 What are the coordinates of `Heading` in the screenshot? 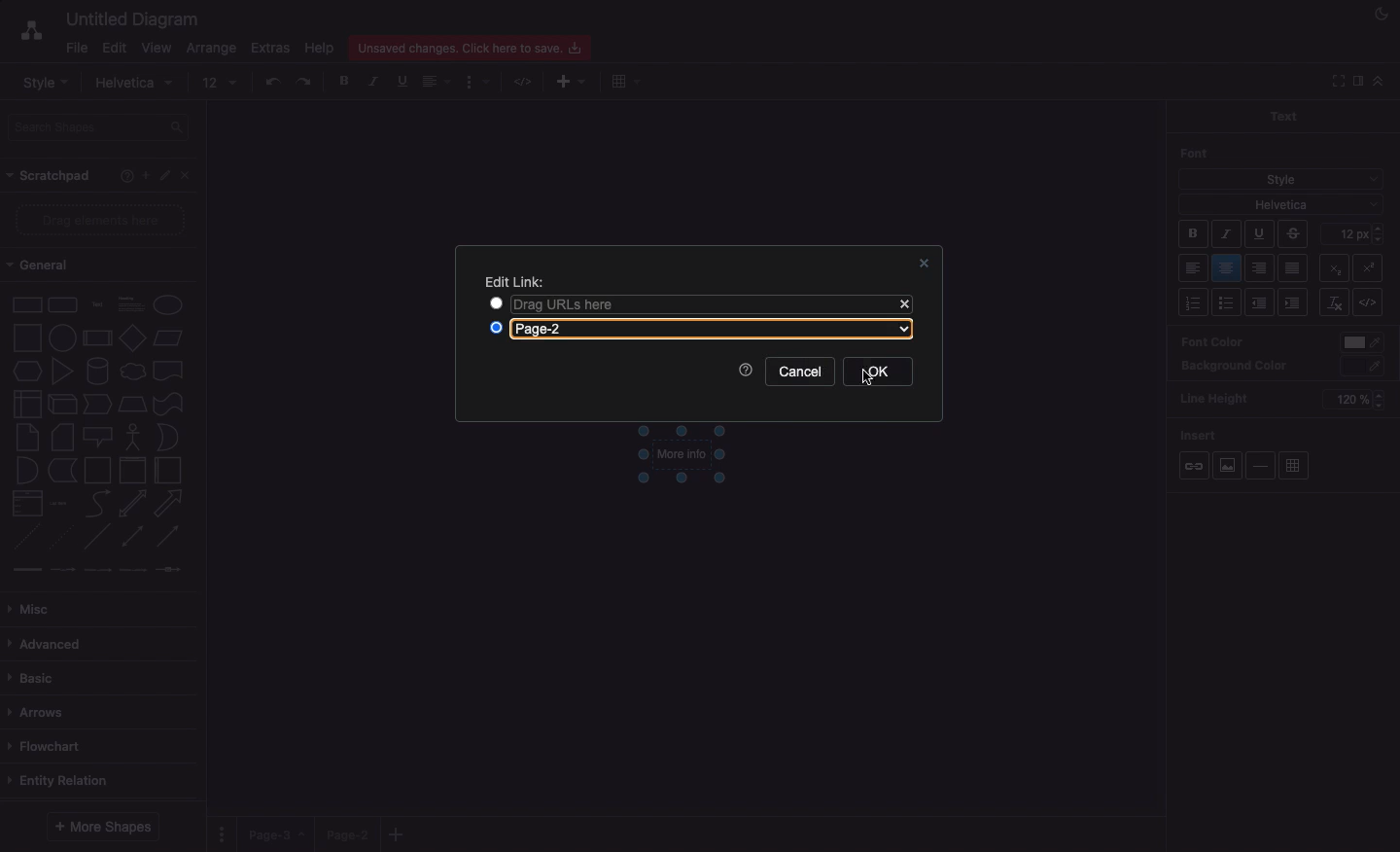 It's located at (133, 302).